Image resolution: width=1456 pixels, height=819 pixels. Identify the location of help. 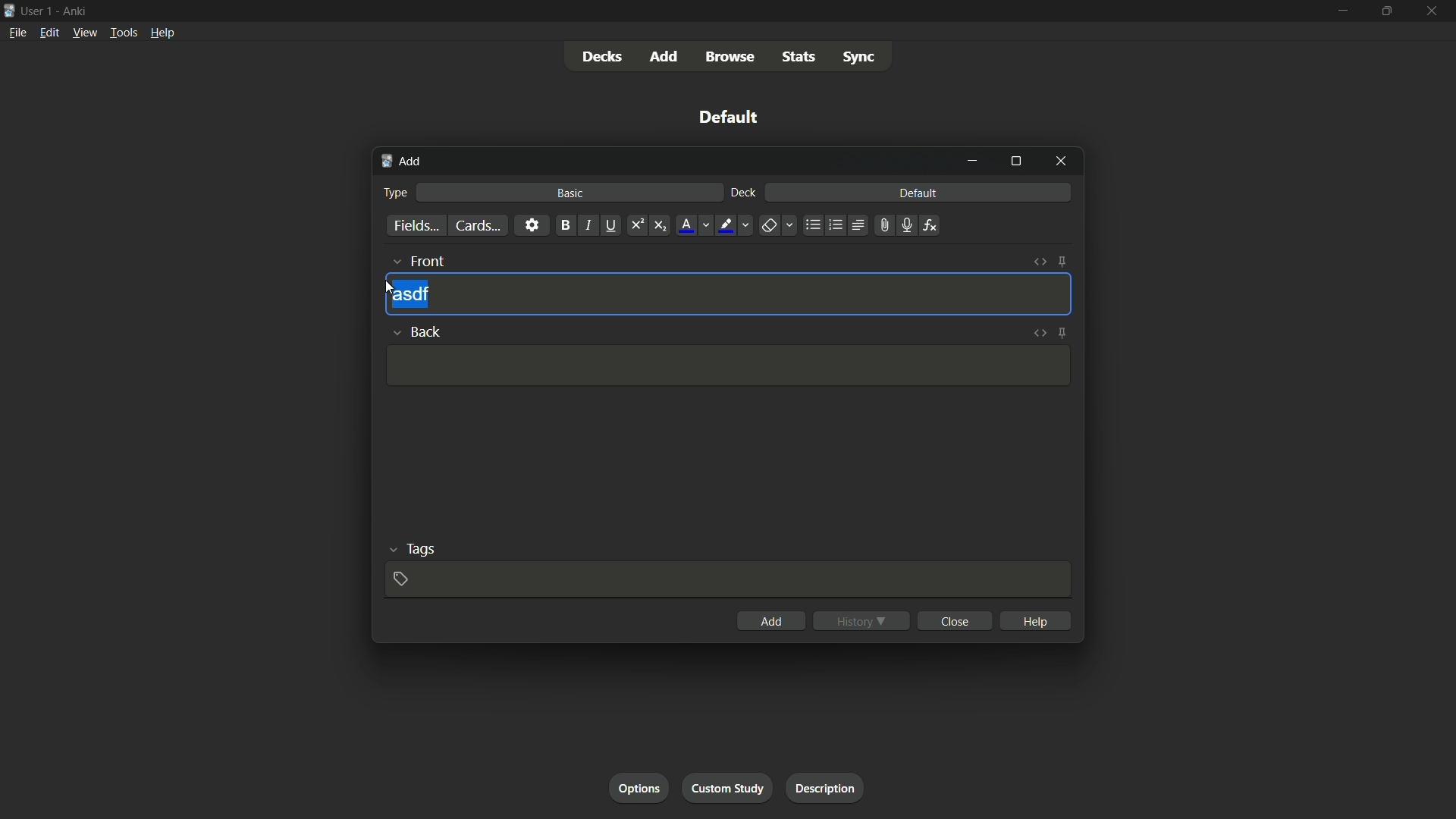
(163, 35).